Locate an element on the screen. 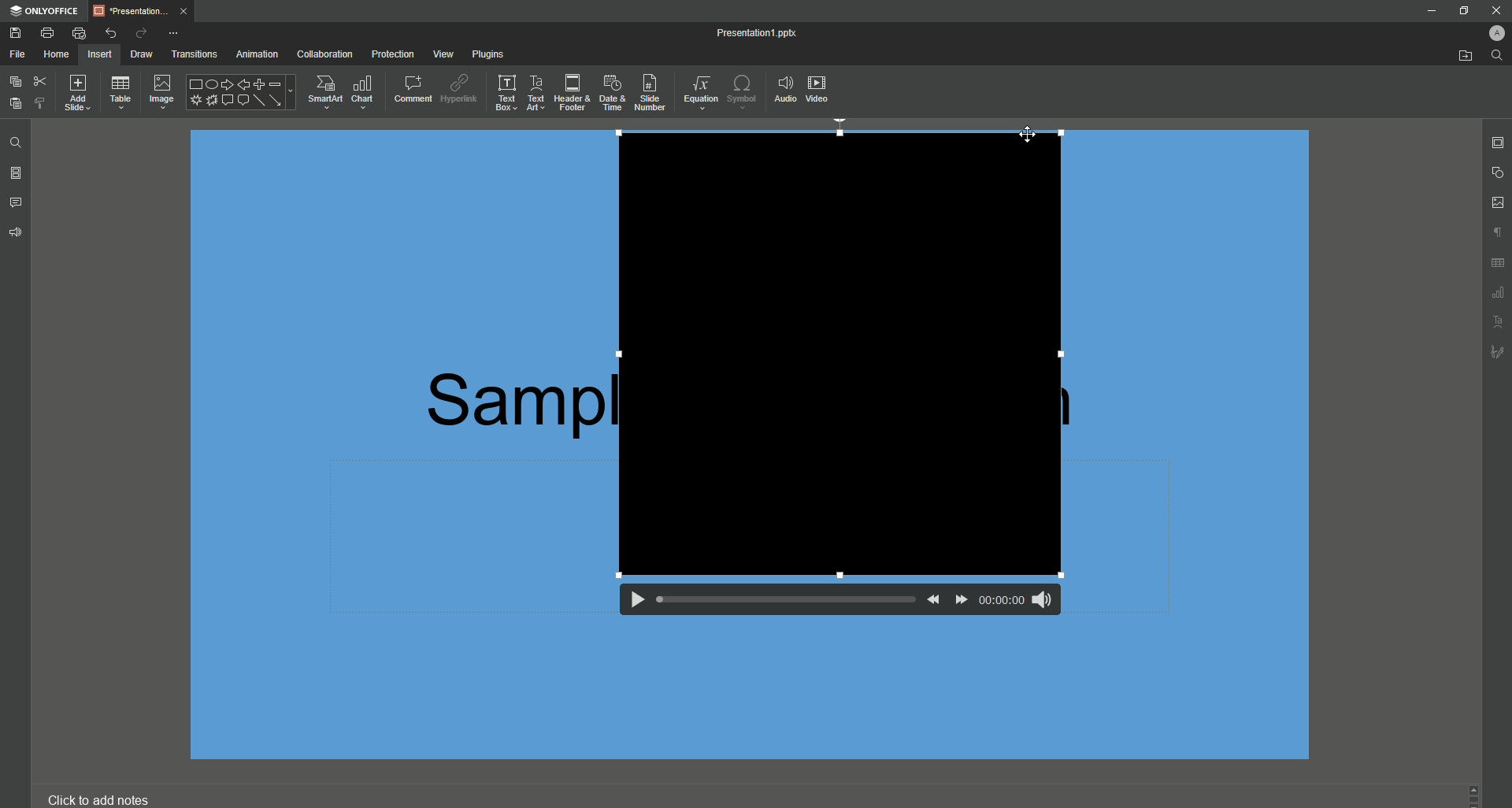 This screenshot has height=808, width=1512. Header and Footer is located at coordinates (572, 92).